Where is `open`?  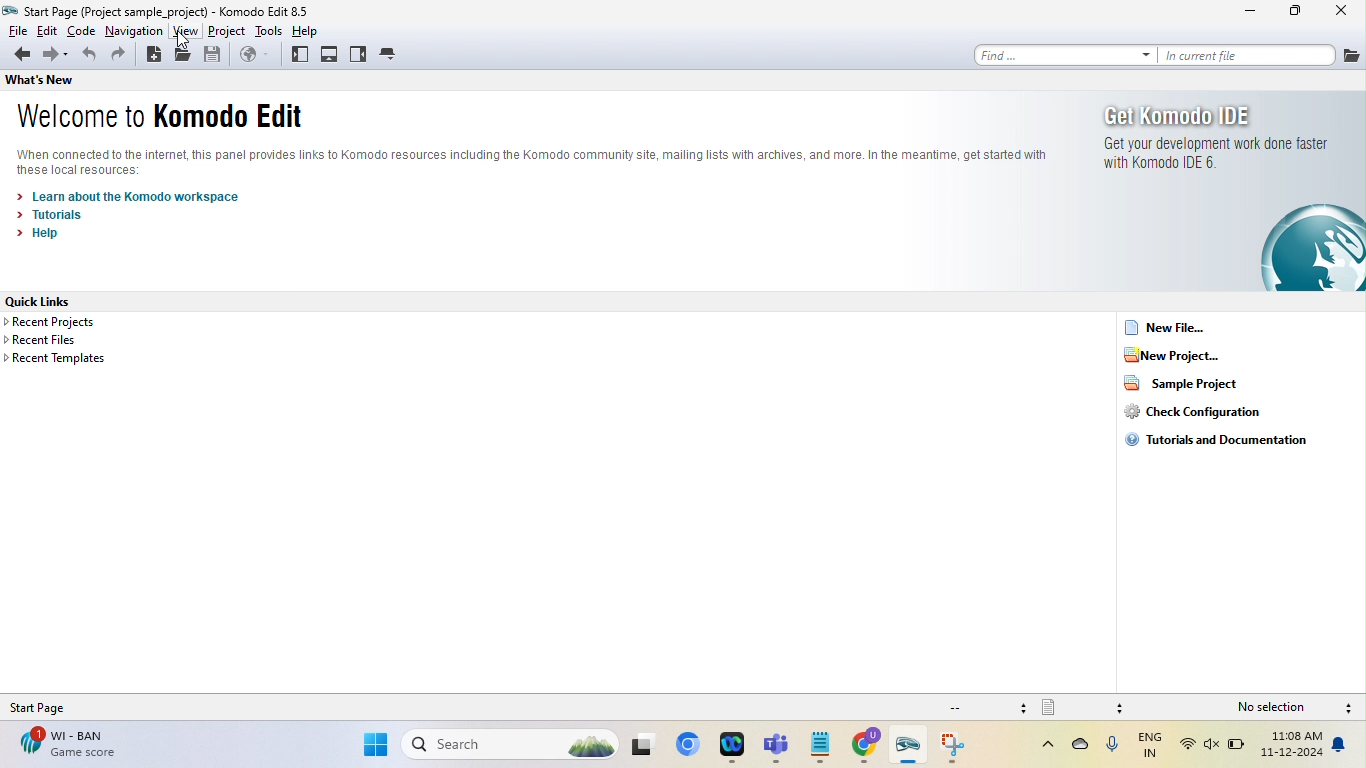
open is located at coordinates (184, 57).